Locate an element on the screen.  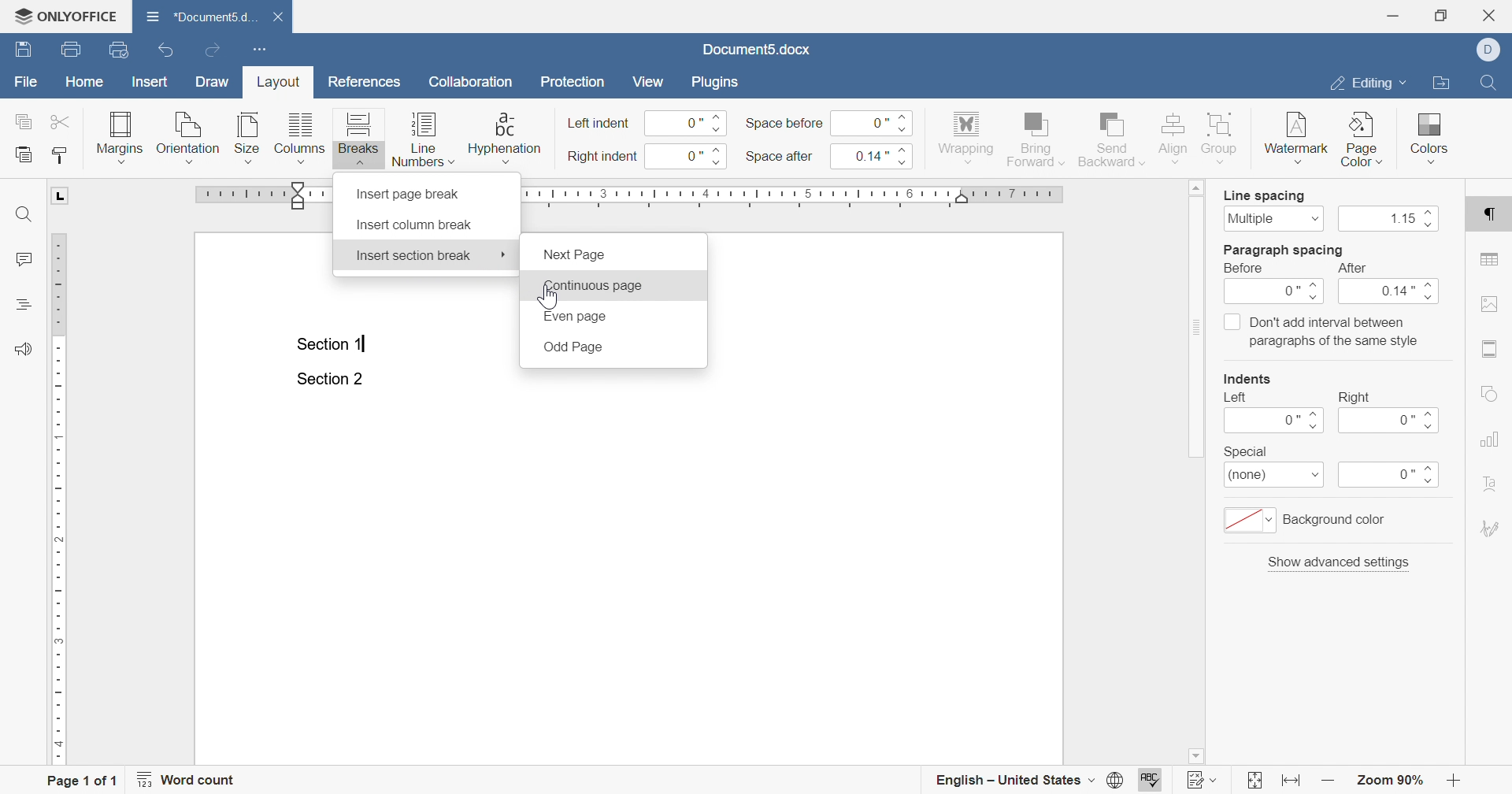
fit to width is located at coordinates (1293, 783).